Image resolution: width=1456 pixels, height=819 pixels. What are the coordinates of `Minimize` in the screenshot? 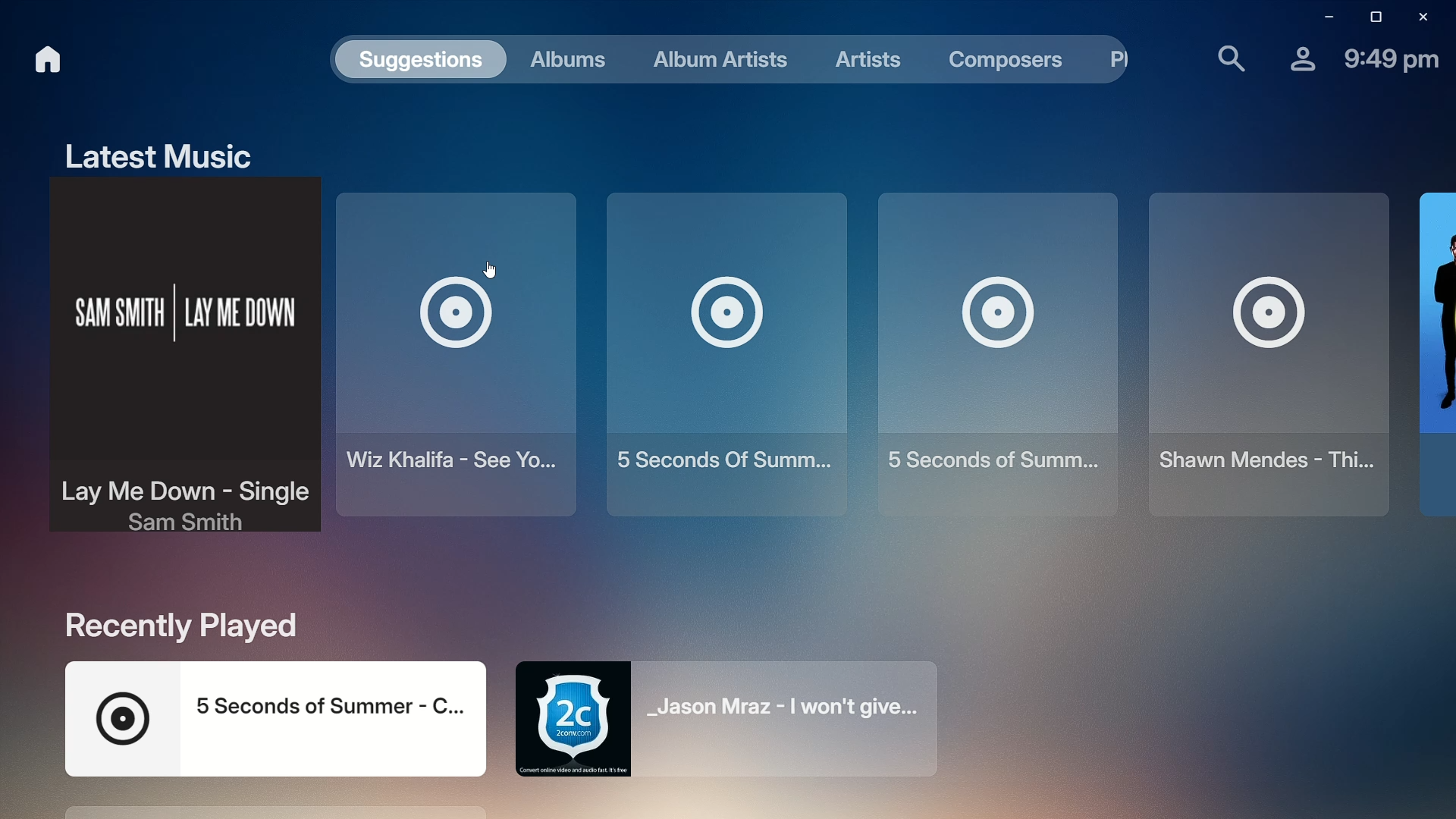 It's located at (1322, 17).